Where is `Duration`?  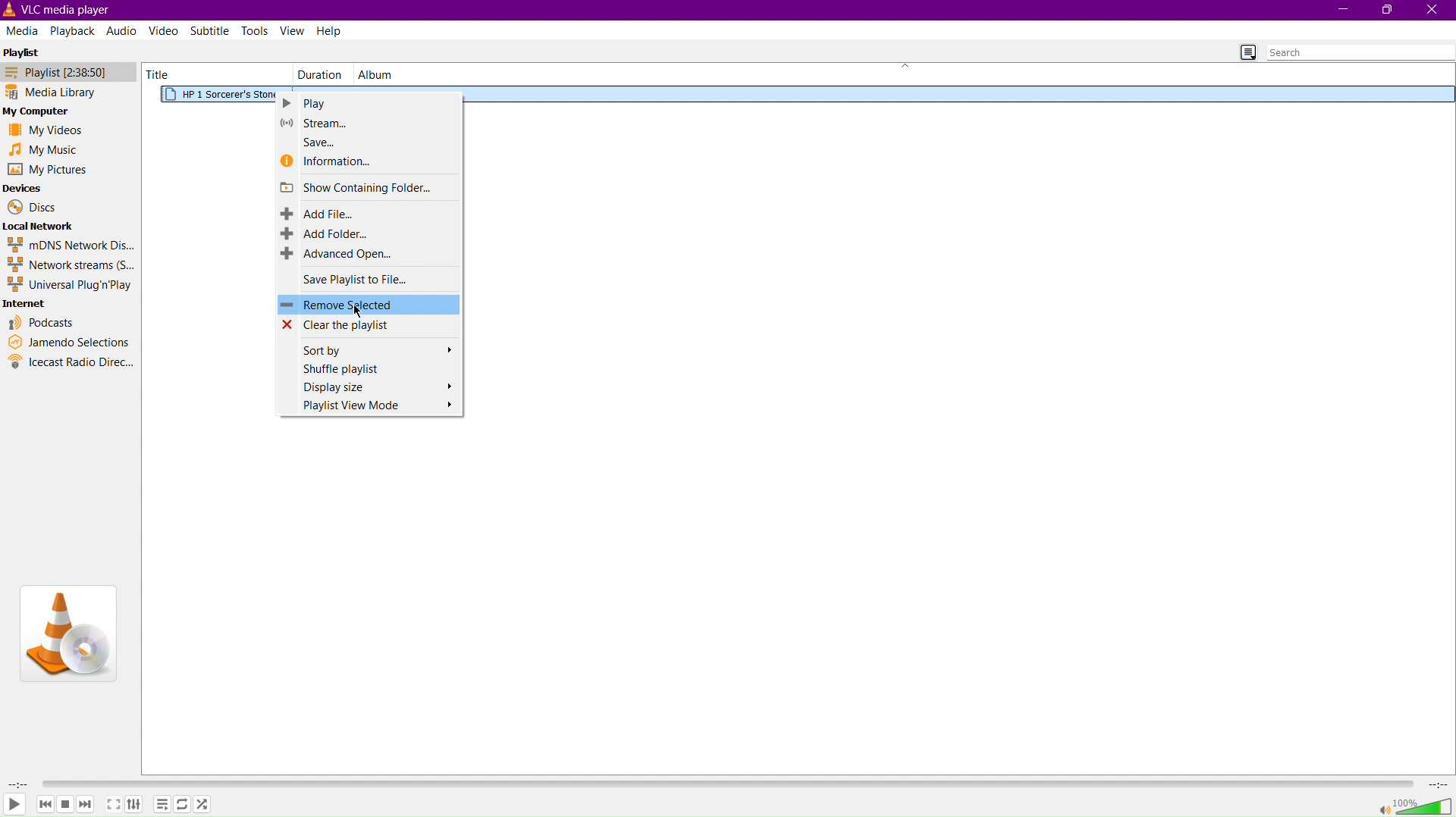 Duration is located at coordinates (318, 74).